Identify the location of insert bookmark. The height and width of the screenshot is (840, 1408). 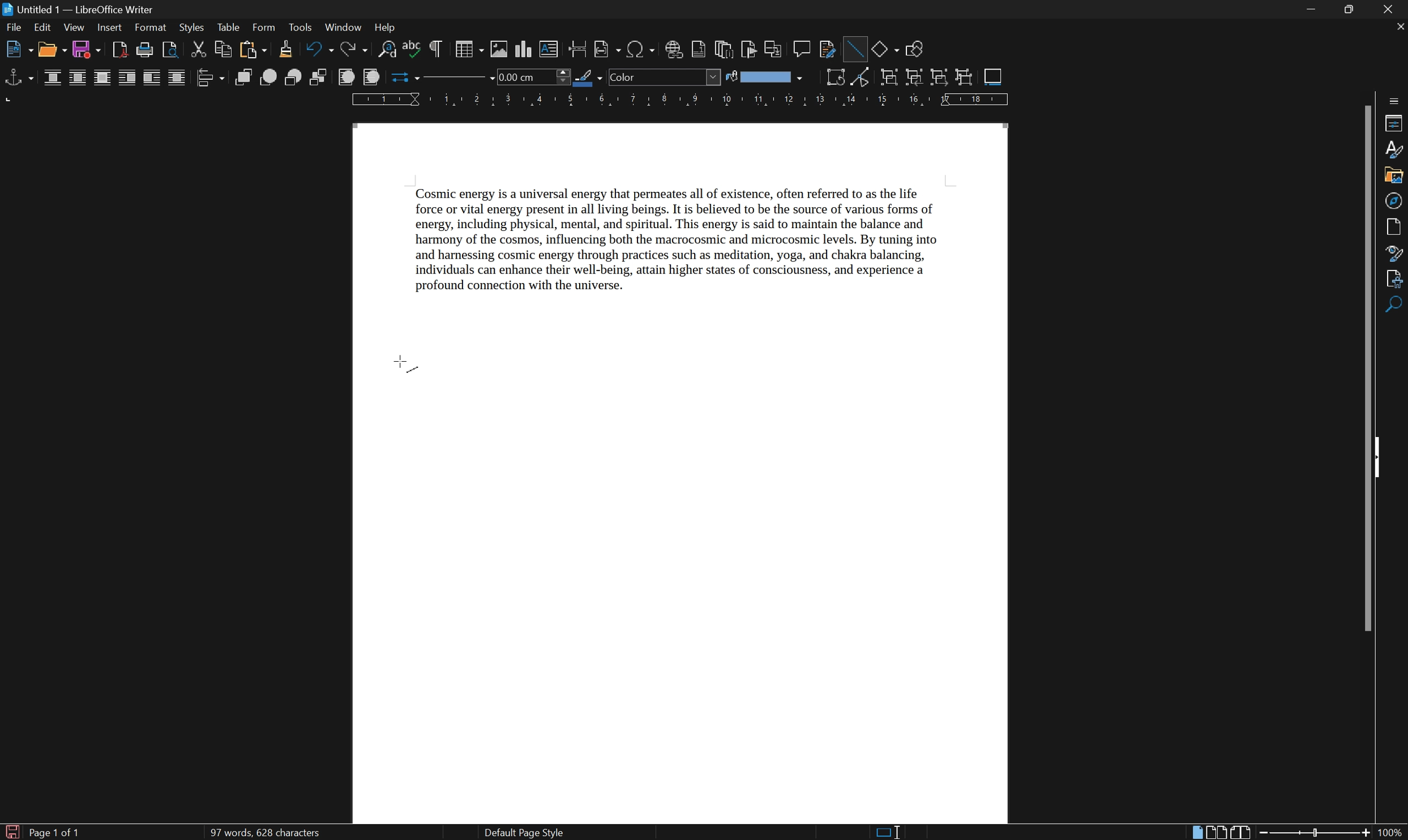
(752, 50).